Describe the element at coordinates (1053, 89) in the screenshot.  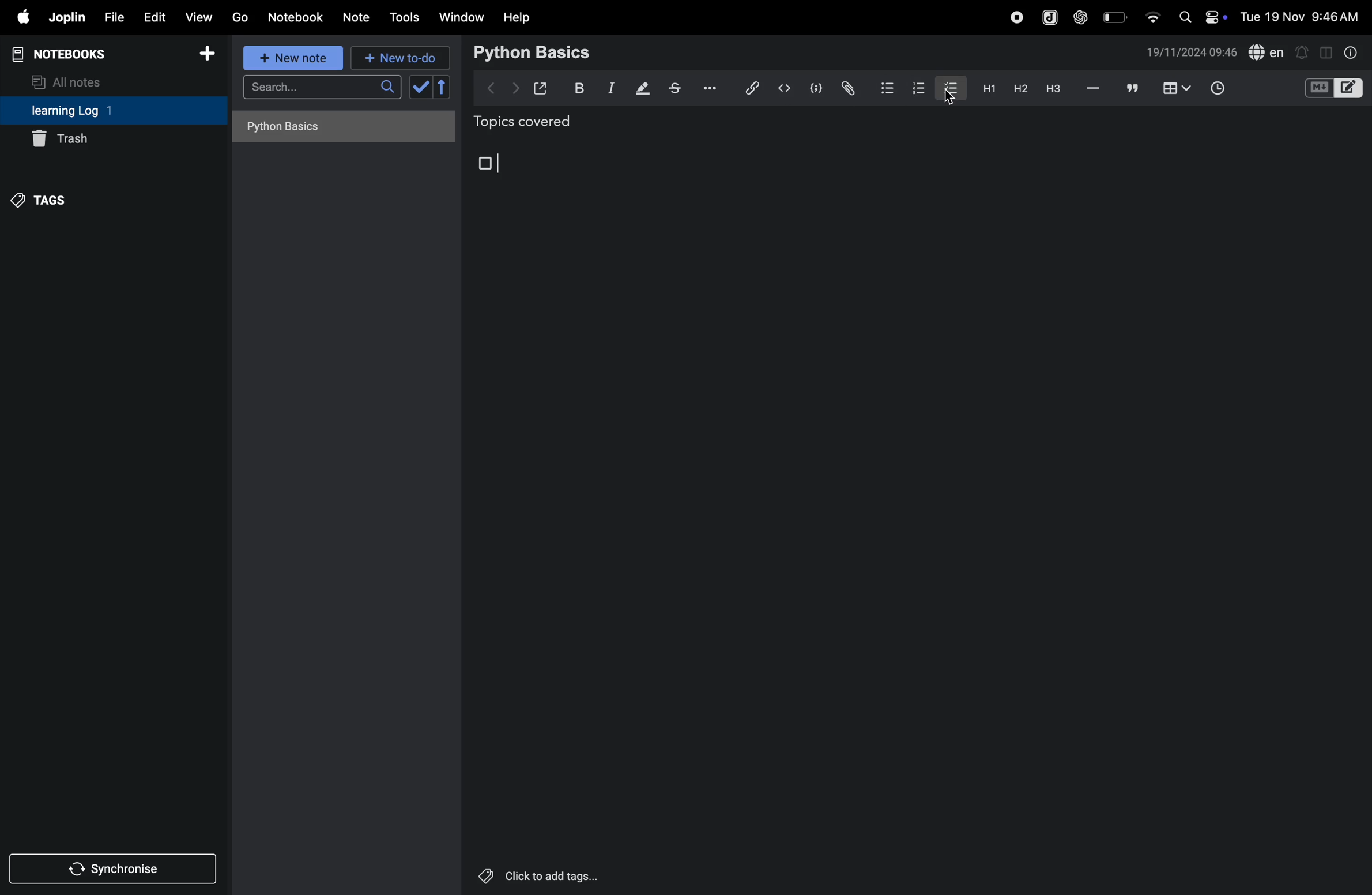
I see `heading 3` at that location.